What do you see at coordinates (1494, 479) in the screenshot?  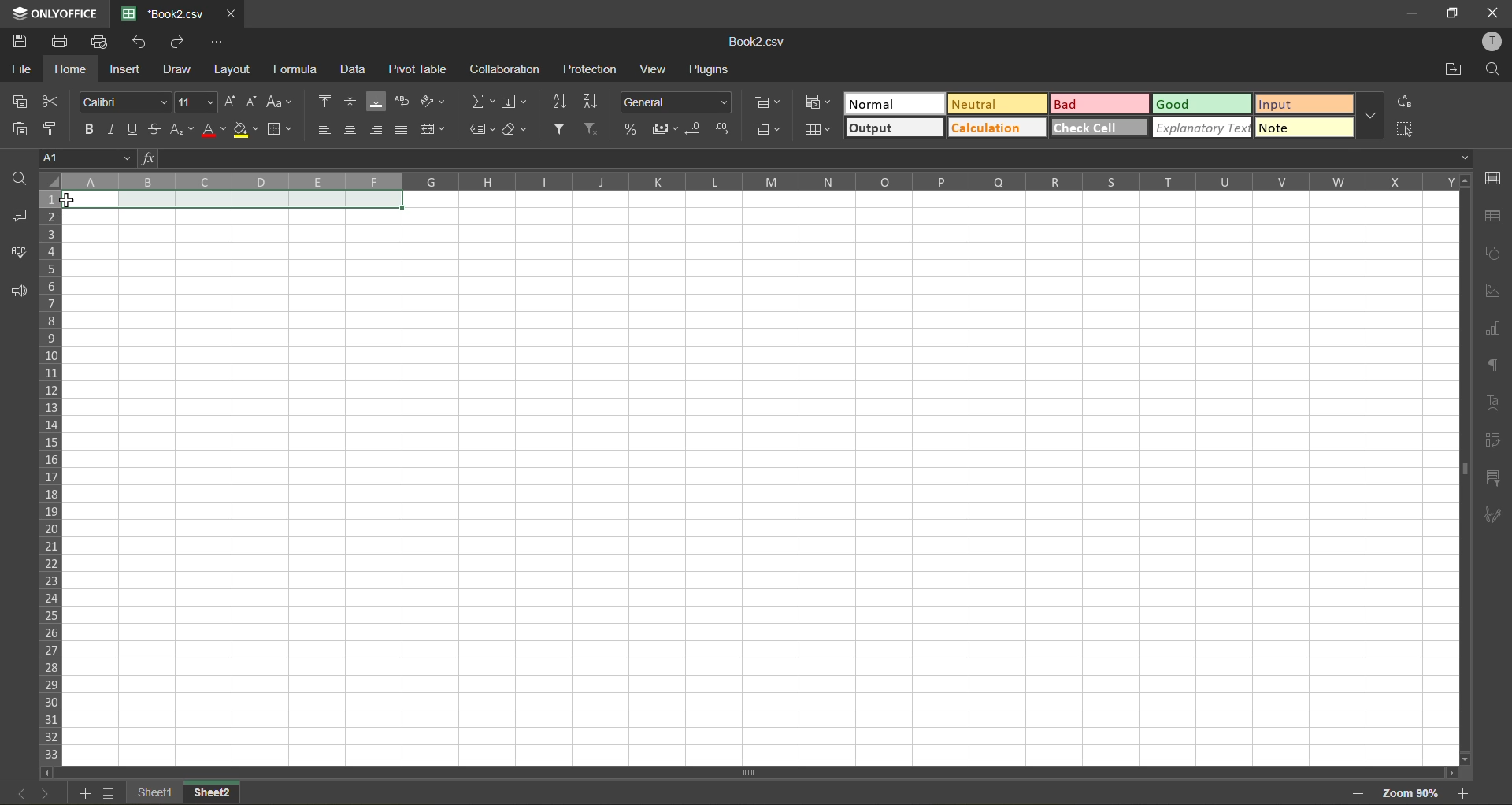 I see `slicer` at bounding box center [1494, 479].